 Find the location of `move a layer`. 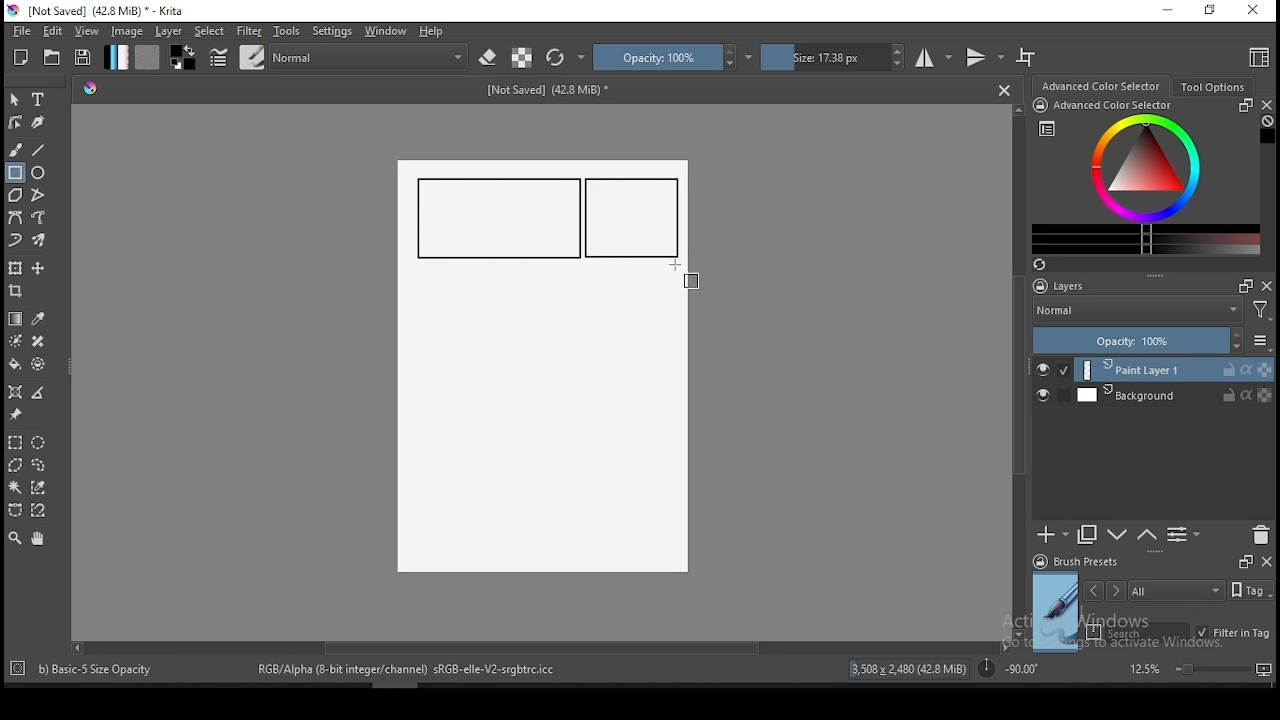

move a layer is located at coordinates (38, 269).